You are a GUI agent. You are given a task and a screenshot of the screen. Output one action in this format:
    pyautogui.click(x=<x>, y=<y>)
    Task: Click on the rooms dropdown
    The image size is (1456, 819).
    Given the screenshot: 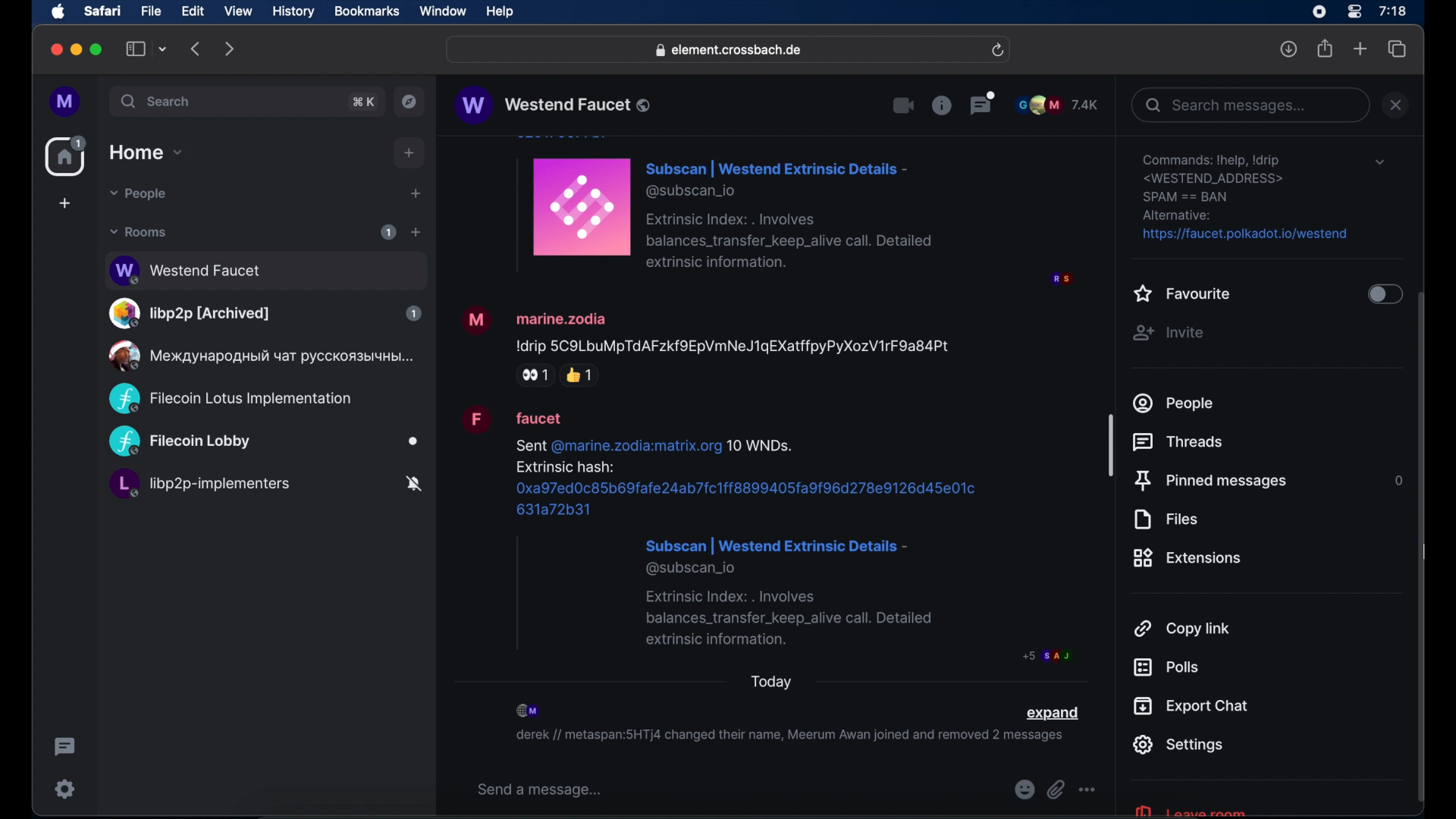 What is the action you would take?
    pyautogui.click(x=139, y=232)
    